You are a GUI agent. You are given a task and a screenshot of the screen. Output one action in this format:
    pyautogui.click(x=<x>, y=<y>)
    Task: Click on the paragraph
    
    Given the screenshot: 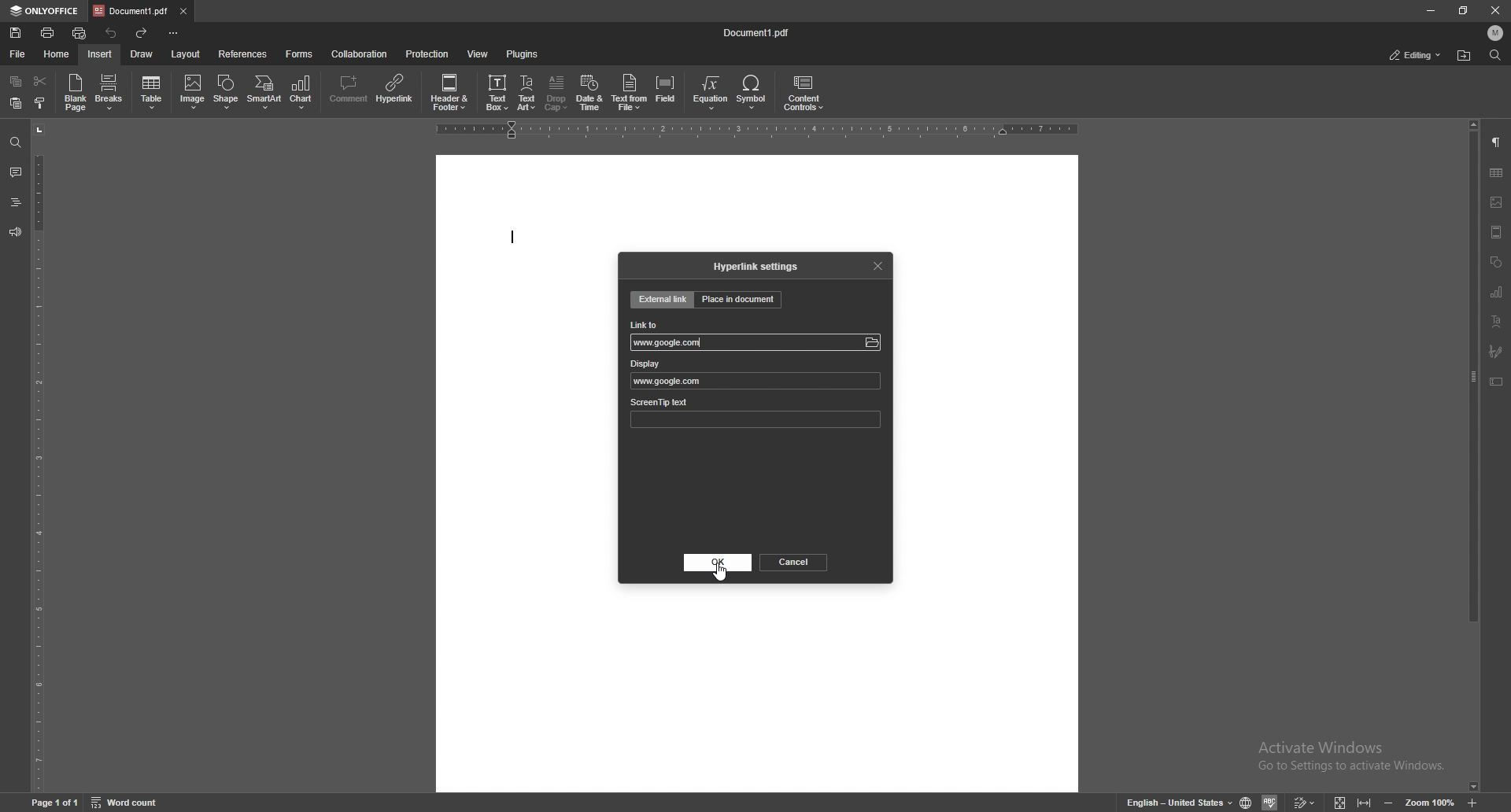 What is the action you would take?
    pyautogui.click(x=1498, y=142)
    